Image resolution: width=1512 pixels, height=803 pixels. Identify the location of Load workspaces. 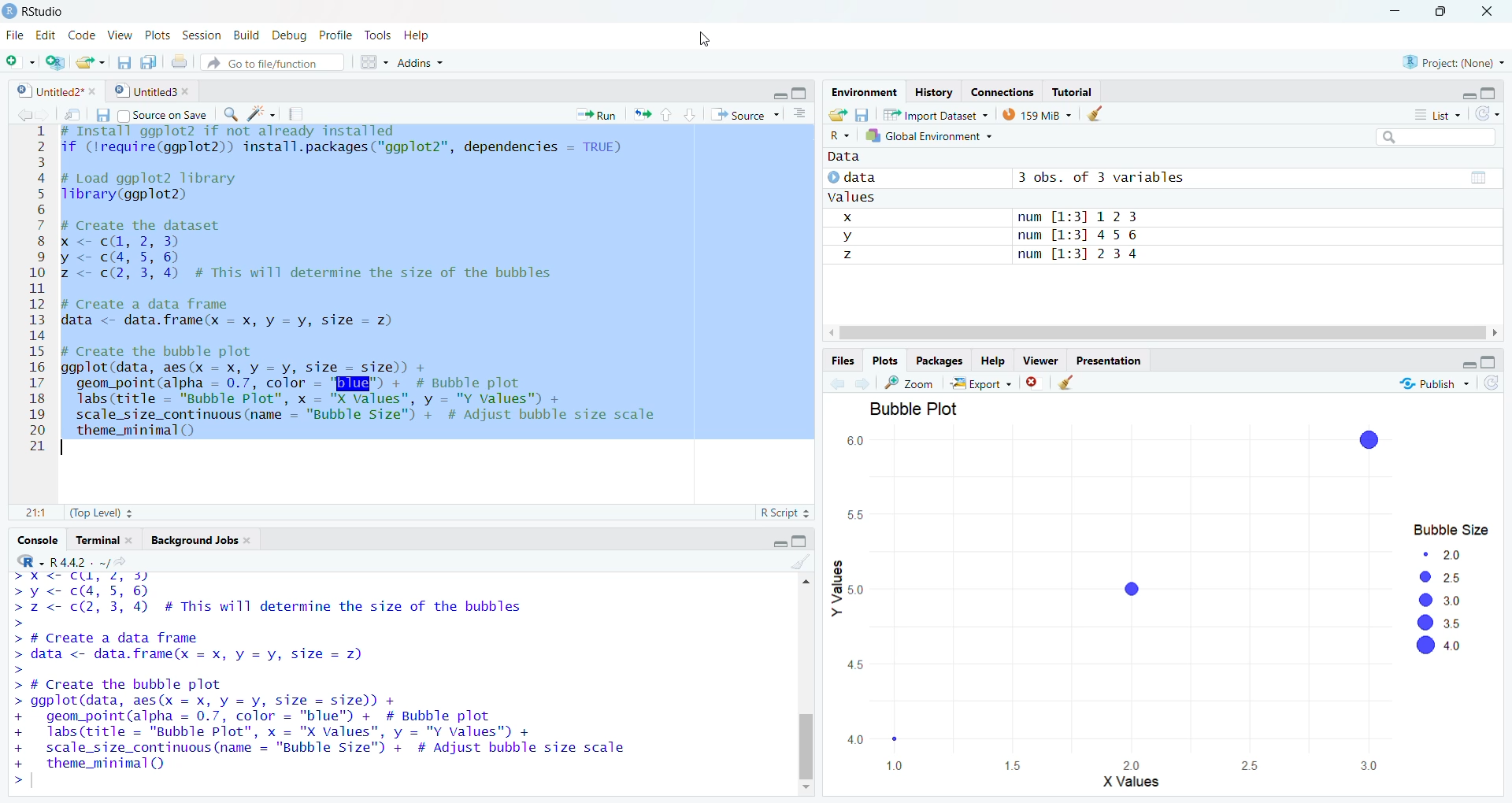
(840, 114).